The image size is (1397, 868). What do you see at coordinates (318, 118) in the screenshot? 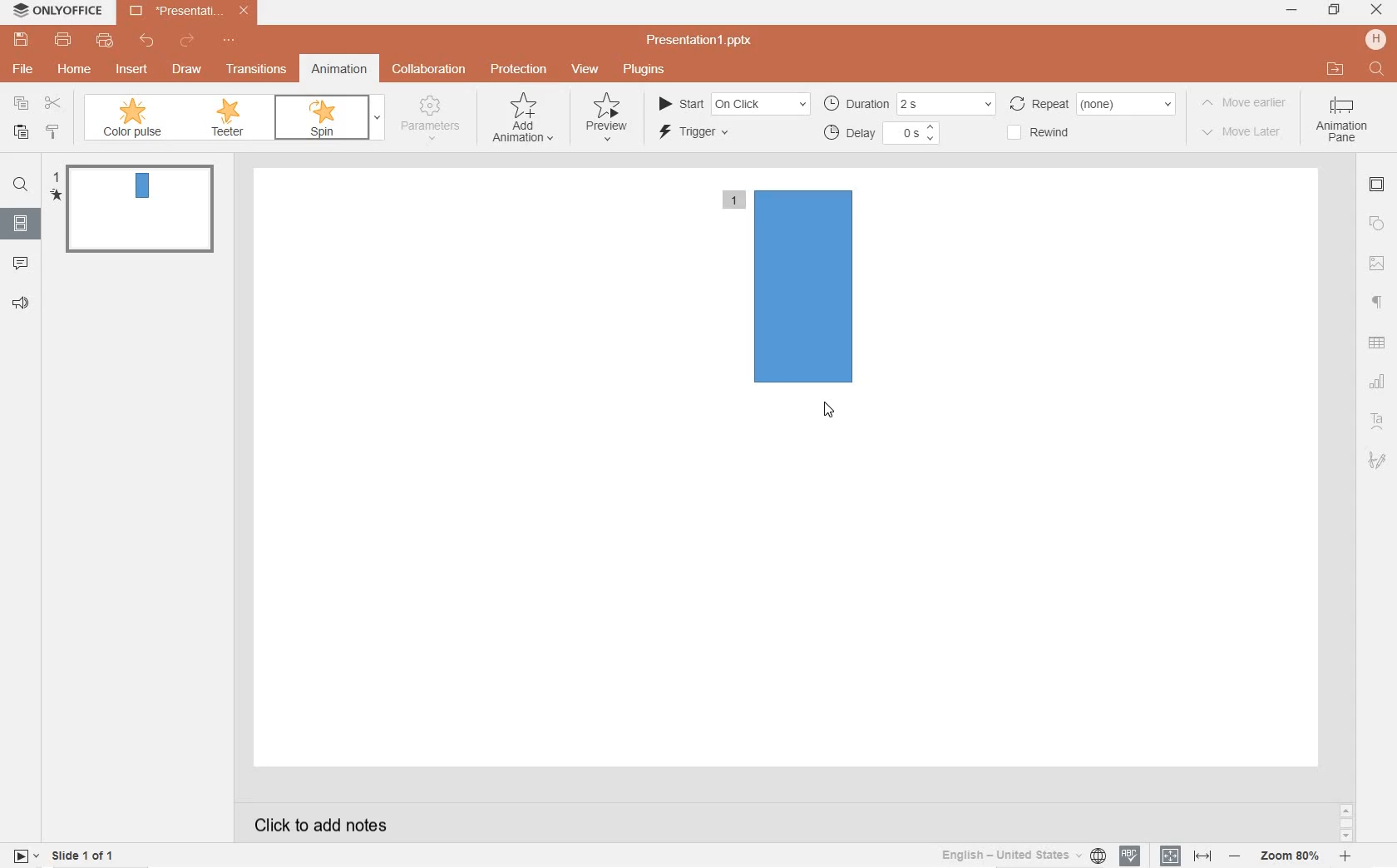
I see `spin animation selected` at bounding box center [318, 118].